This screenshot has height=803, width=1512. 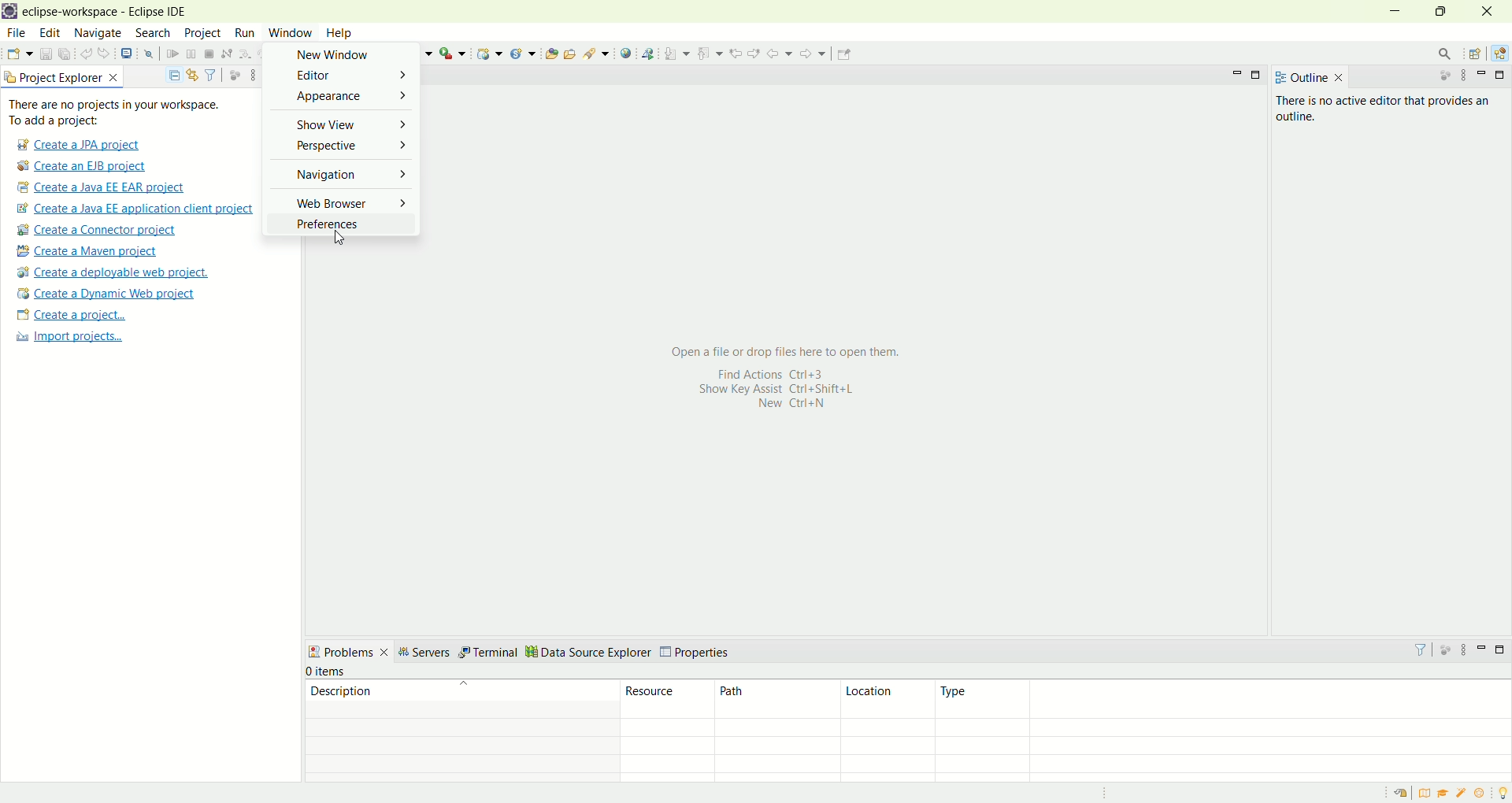 What do you see at coordinates (209, 55) in the screenshot?
I see `terminate` at bounding box center [209, 55].